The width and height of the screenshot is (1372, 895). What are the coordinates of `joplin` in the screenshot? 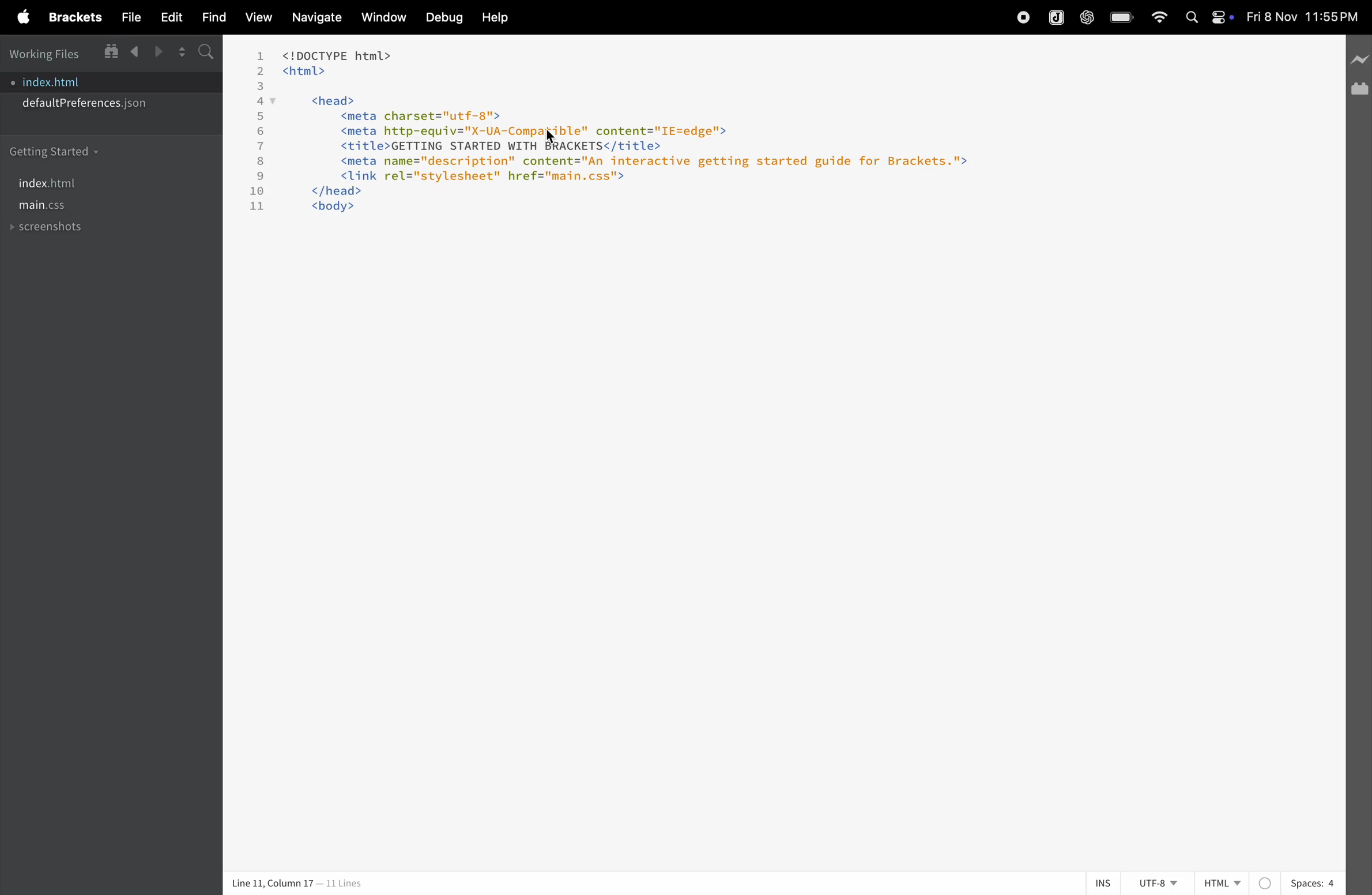 It's located at (1056, 18).